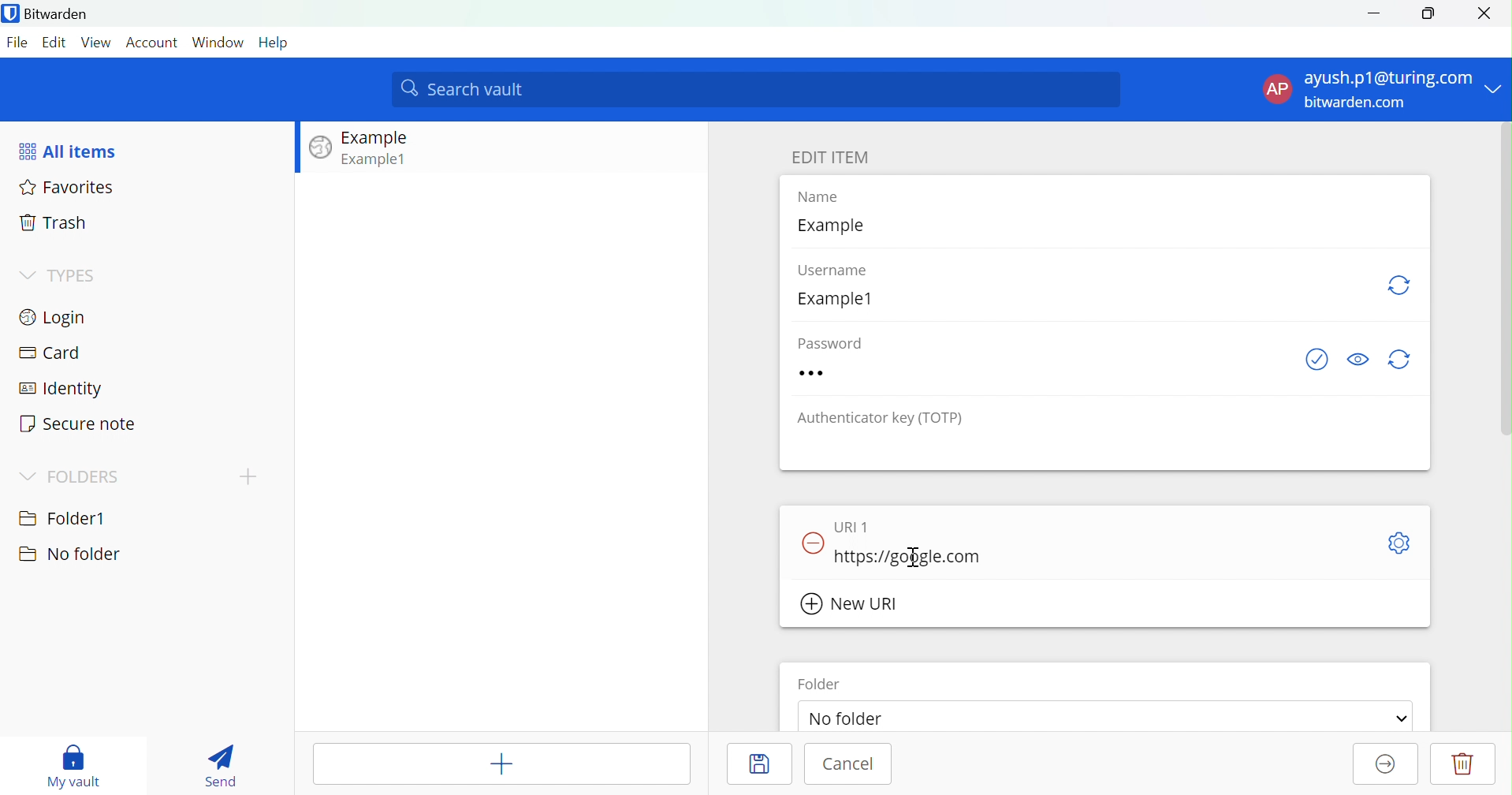  What do you see at coordinates (84, 478) in the screenshot?
I see `FOLDERS` at bounding box center [84, 478].